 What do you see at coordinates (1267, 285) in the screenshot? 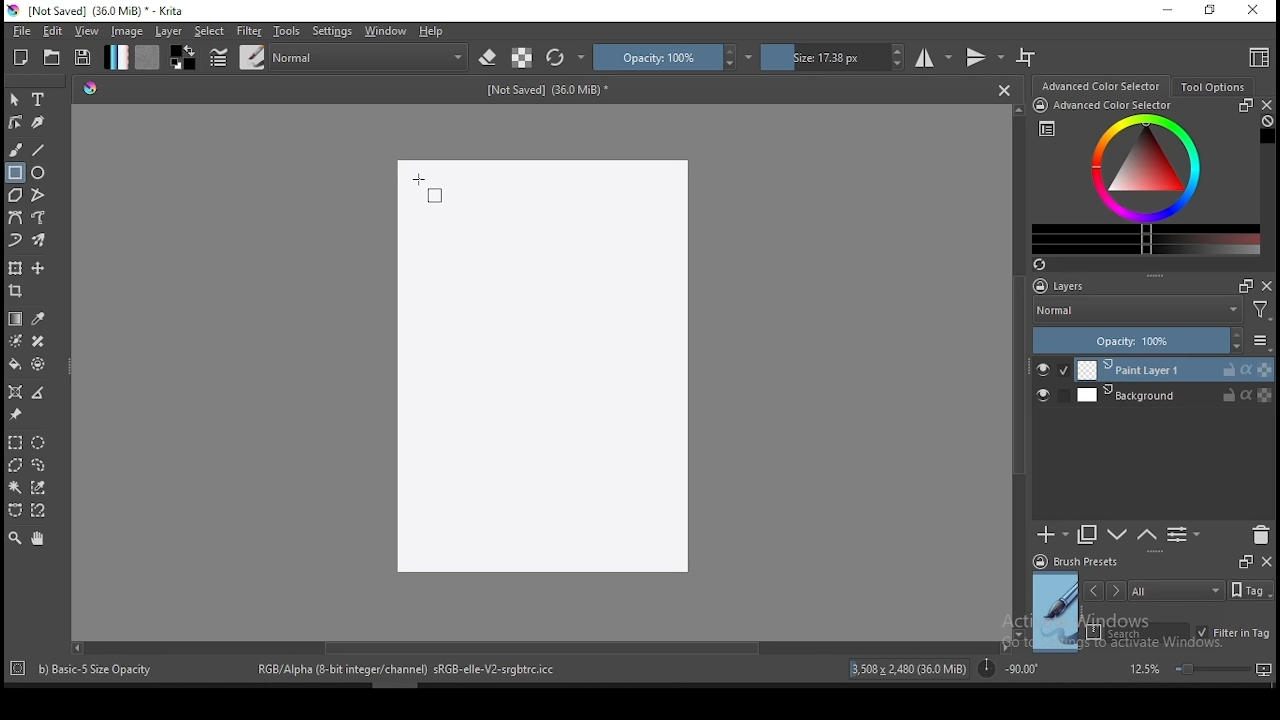
I see `close docker` at bounding box center [1267, 285].